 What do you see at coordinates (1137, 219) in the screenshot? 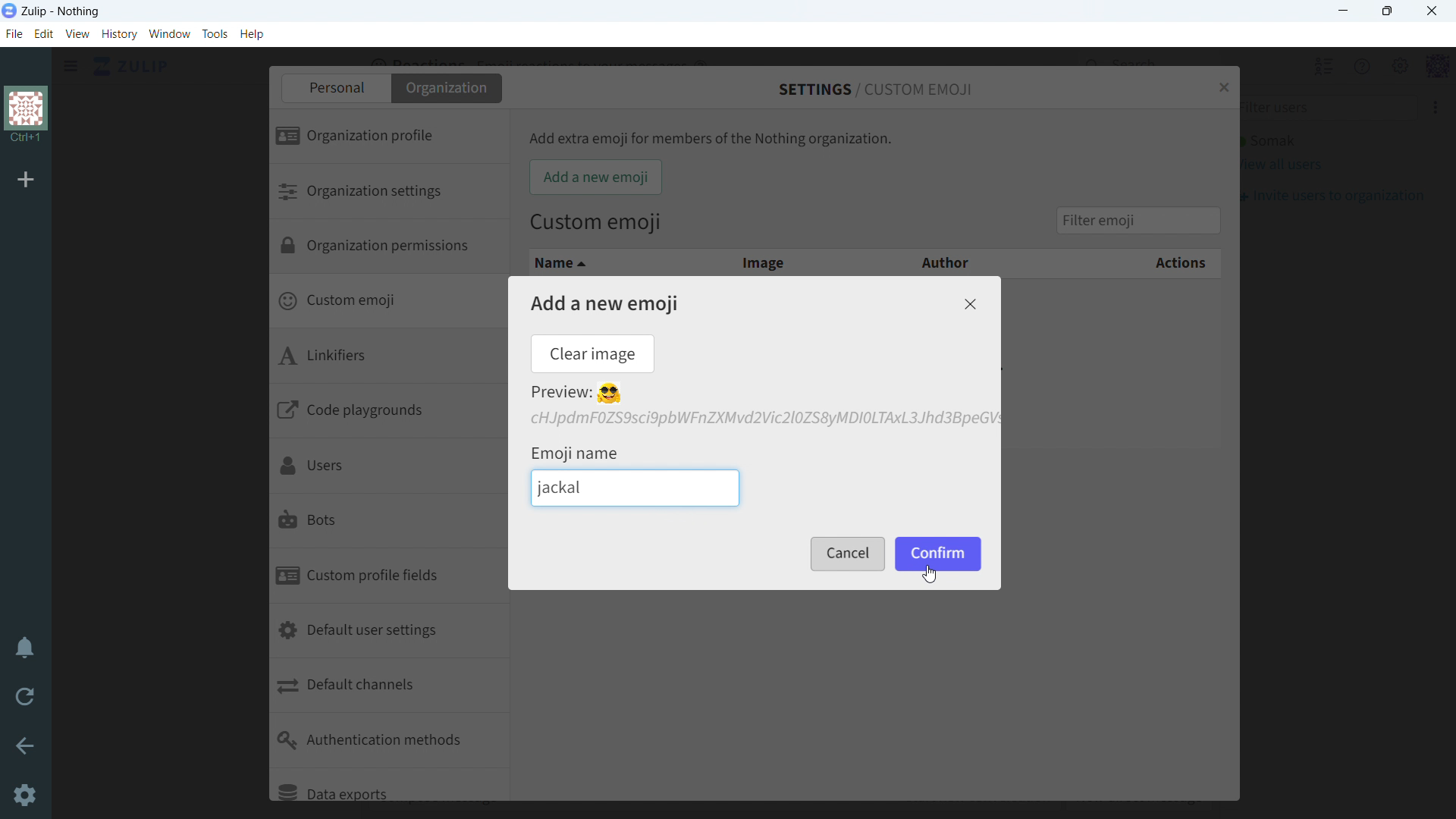
I see `filter emoji` at bounding box center [1137, 219].